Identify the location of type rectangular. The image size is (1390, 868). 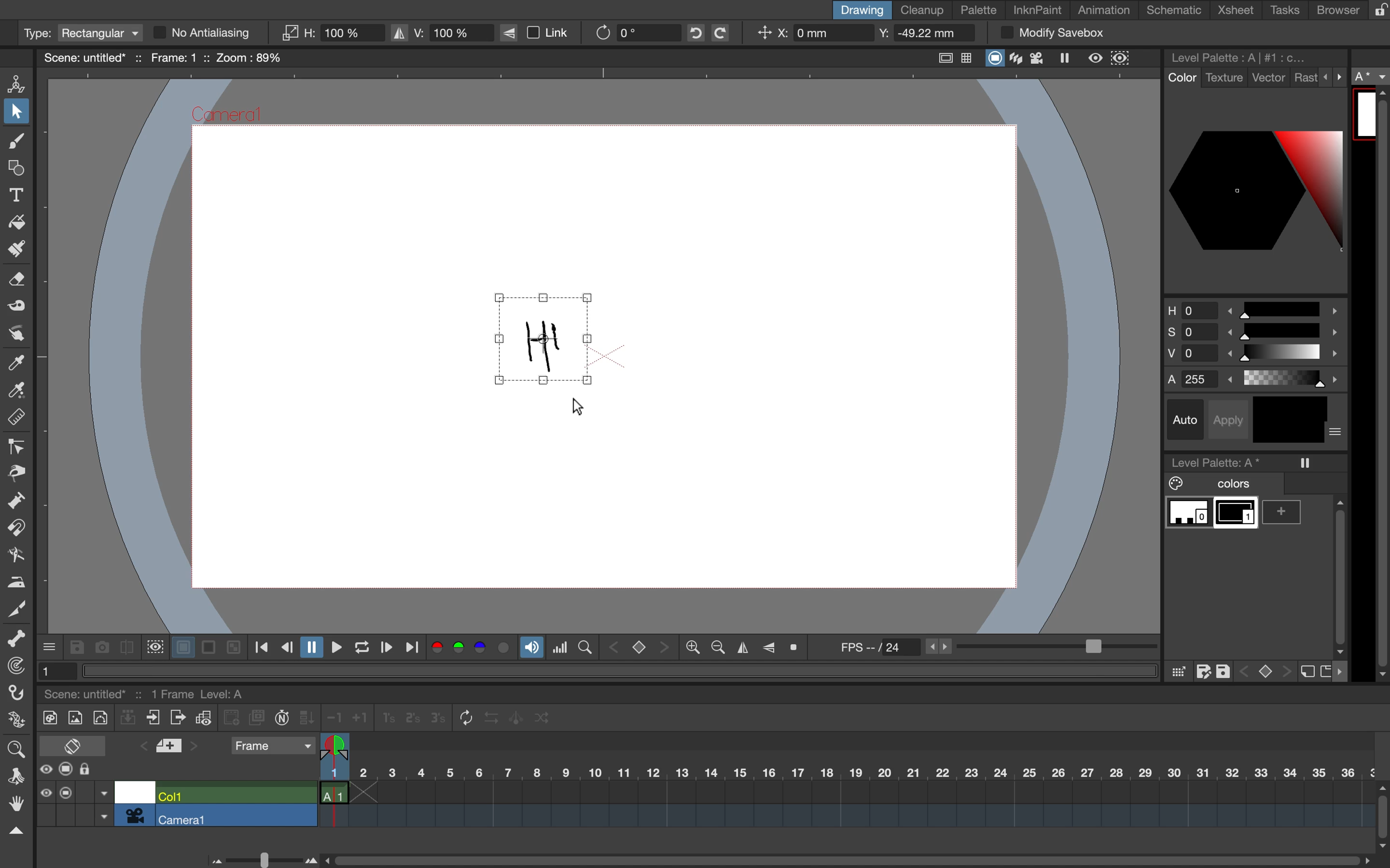
(80, 33).